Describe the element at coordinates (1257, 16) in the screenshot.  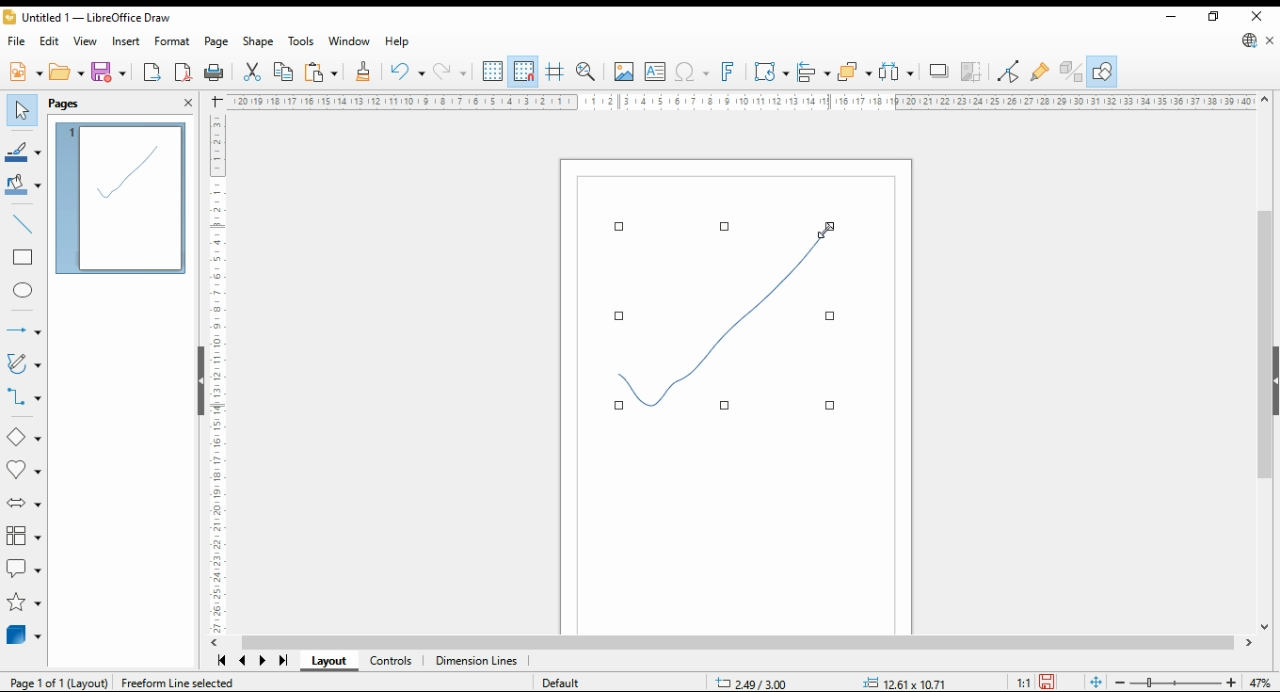
I see `close` at that location.